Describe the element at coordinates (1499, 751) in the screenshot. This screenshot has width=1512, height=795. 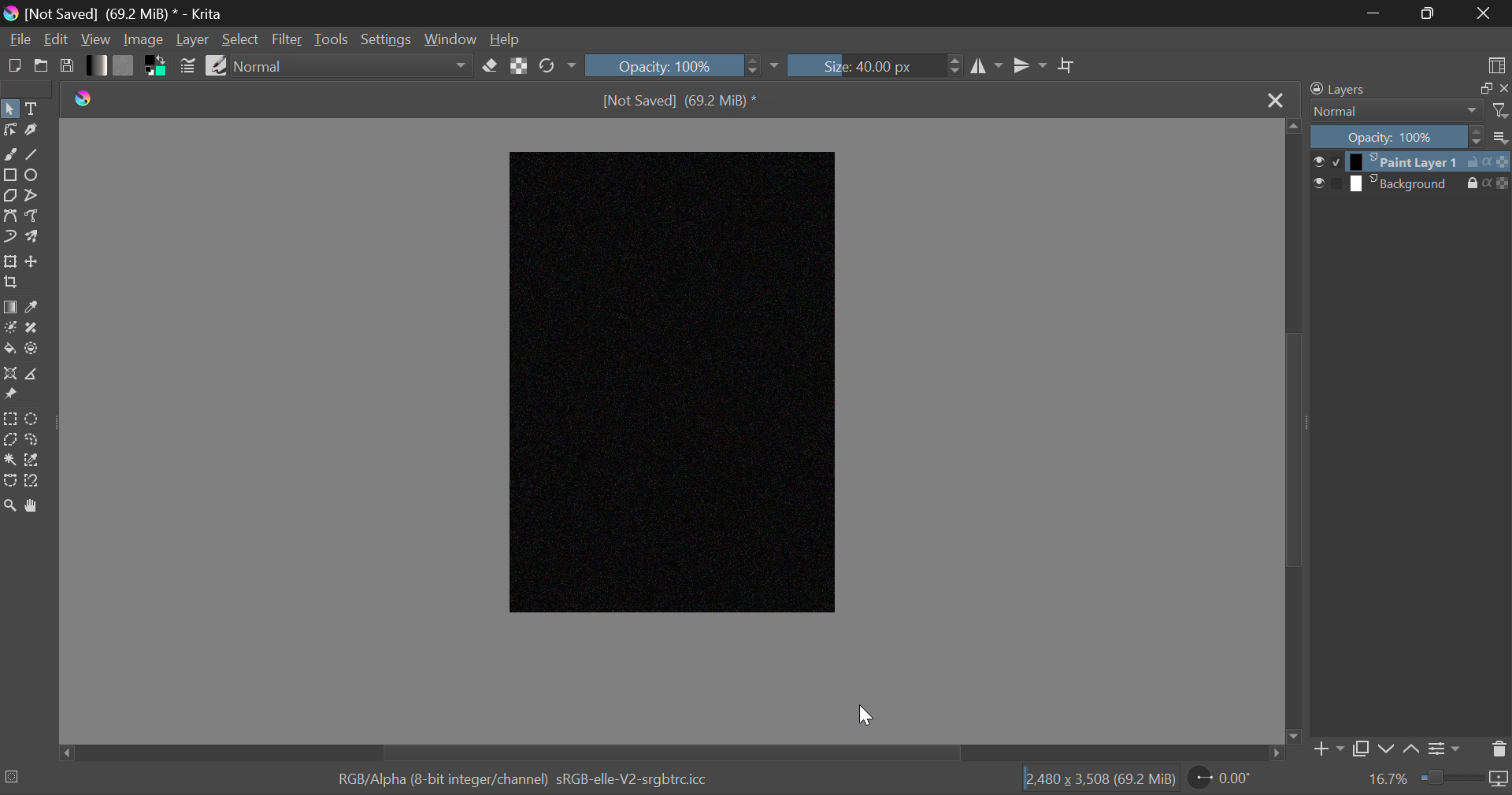
I see `Delete Layer` at that location.